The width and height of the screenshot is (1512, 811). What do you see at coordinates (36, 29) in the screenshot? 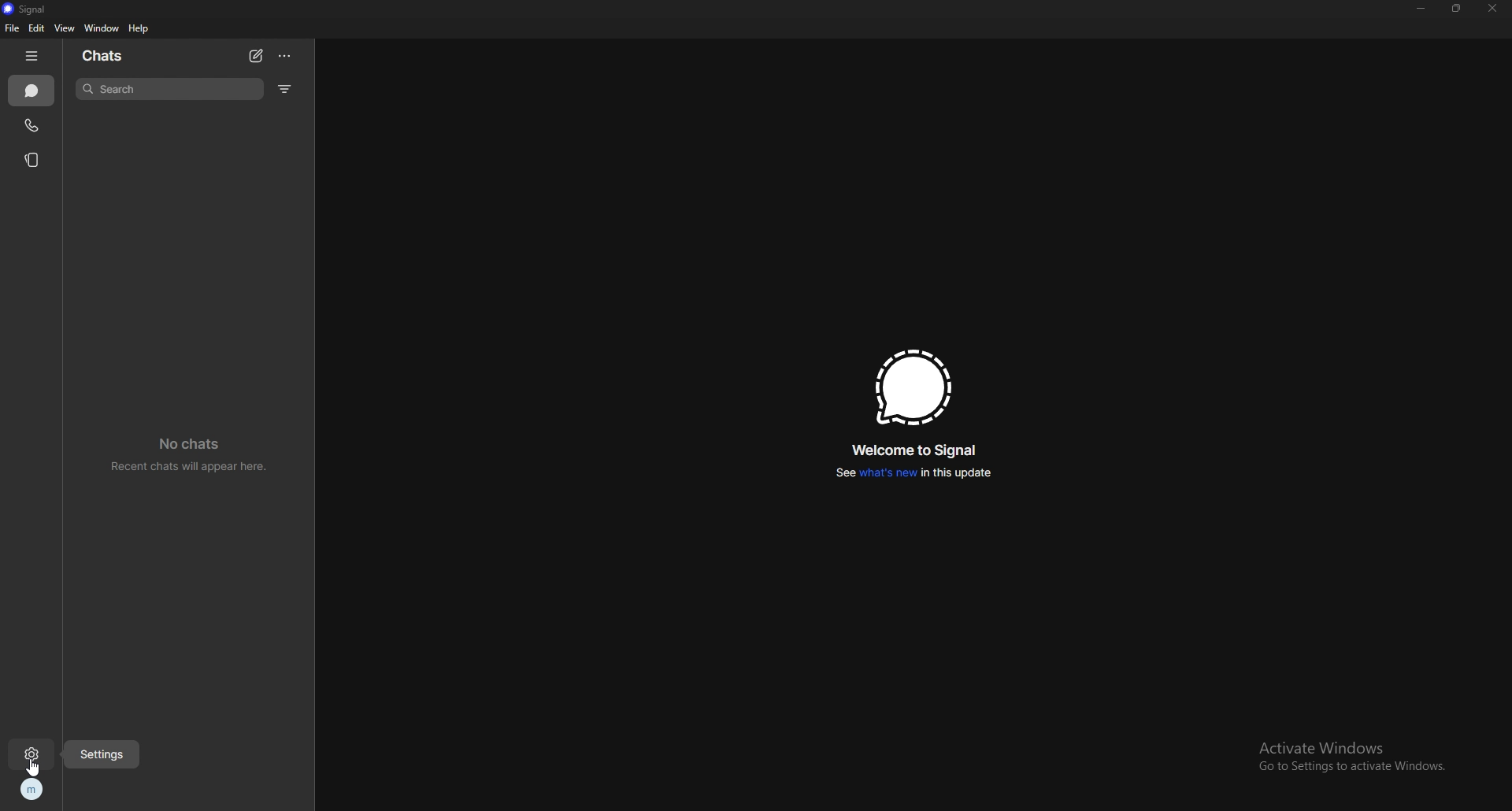
I see `edit` at bounding box center [36, 29].